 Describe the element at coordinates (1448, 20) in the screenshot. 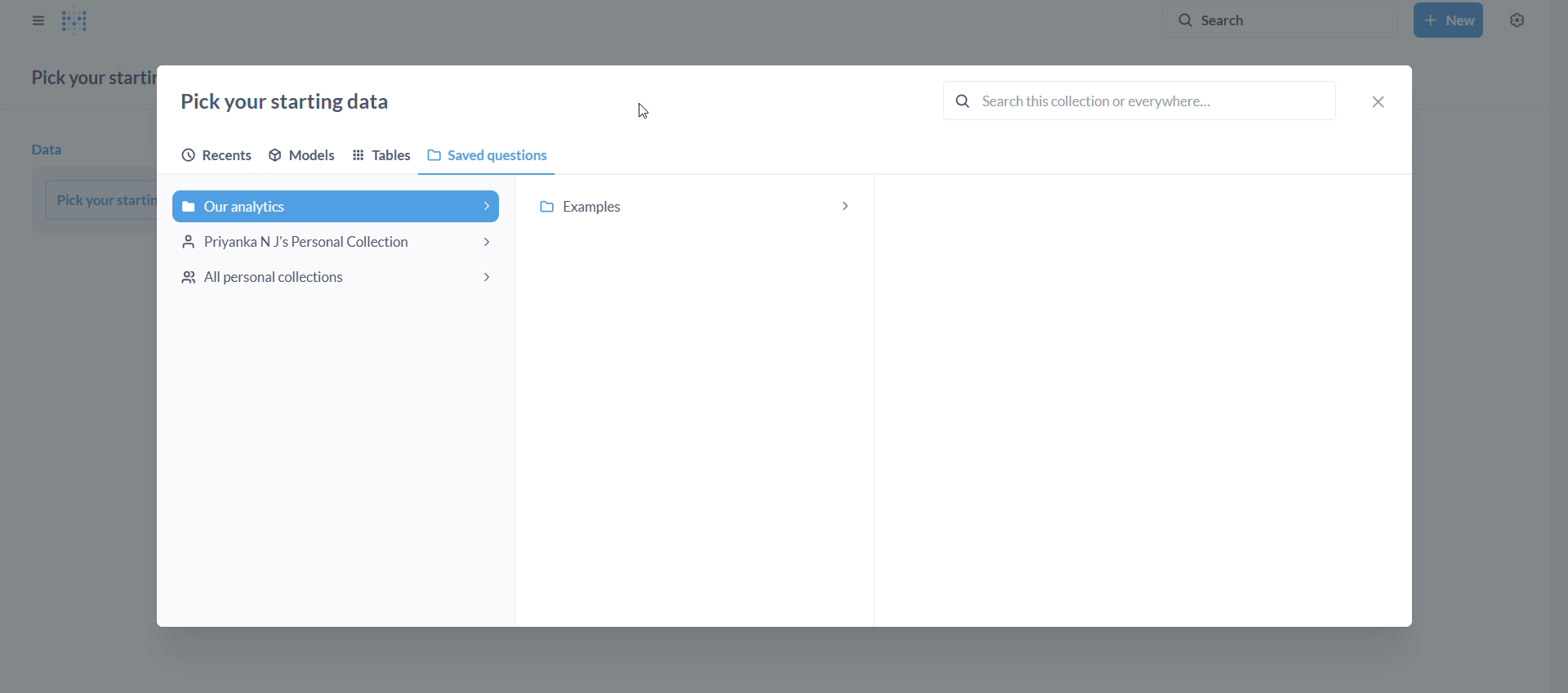

I see `new` at that location.